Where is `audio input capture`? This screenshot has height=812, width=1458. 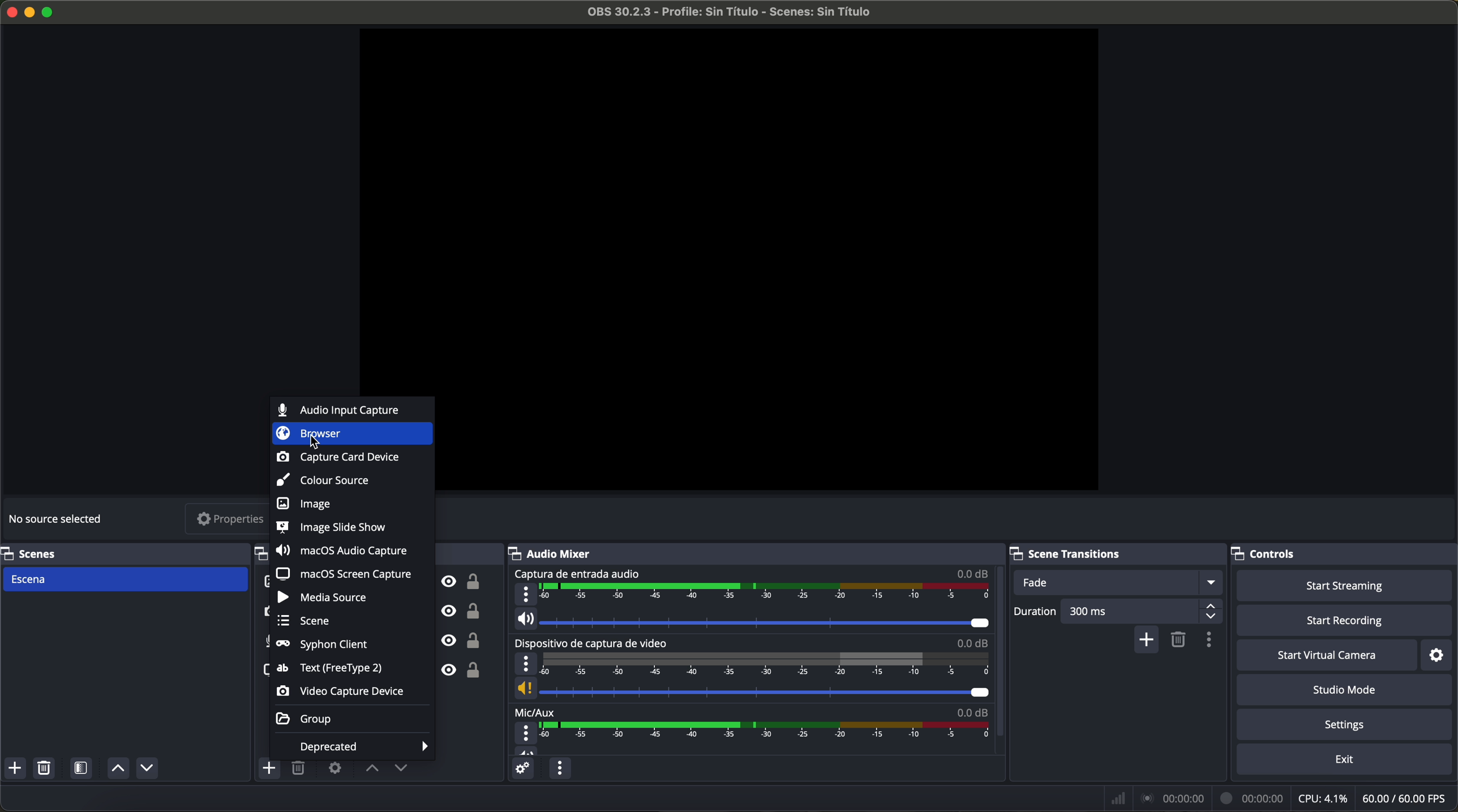 audio input capture is located at coordinates (341, 410).